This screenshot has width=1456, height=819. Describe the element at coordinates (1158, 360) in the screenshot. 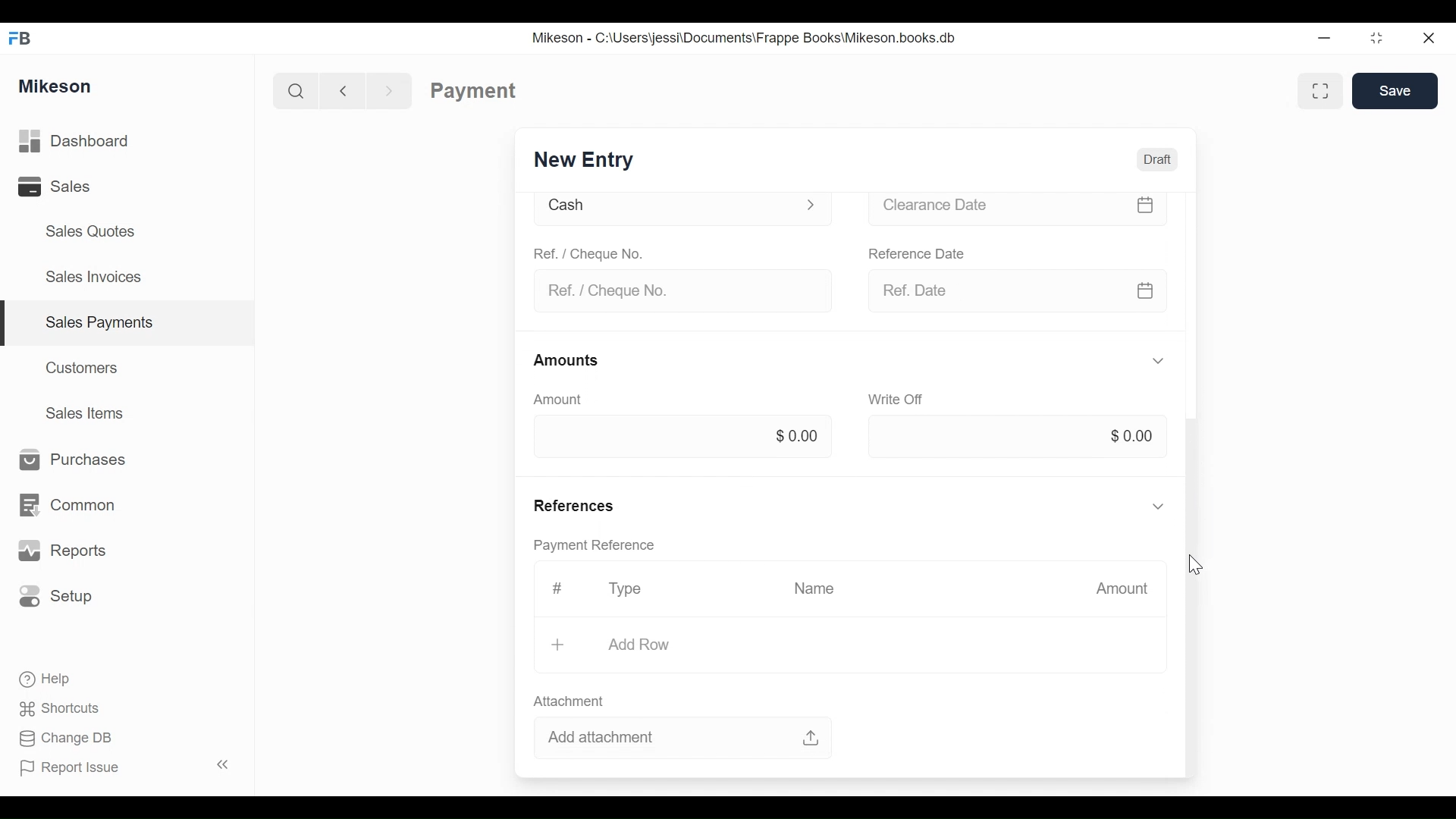

I see `Hide` at that location.